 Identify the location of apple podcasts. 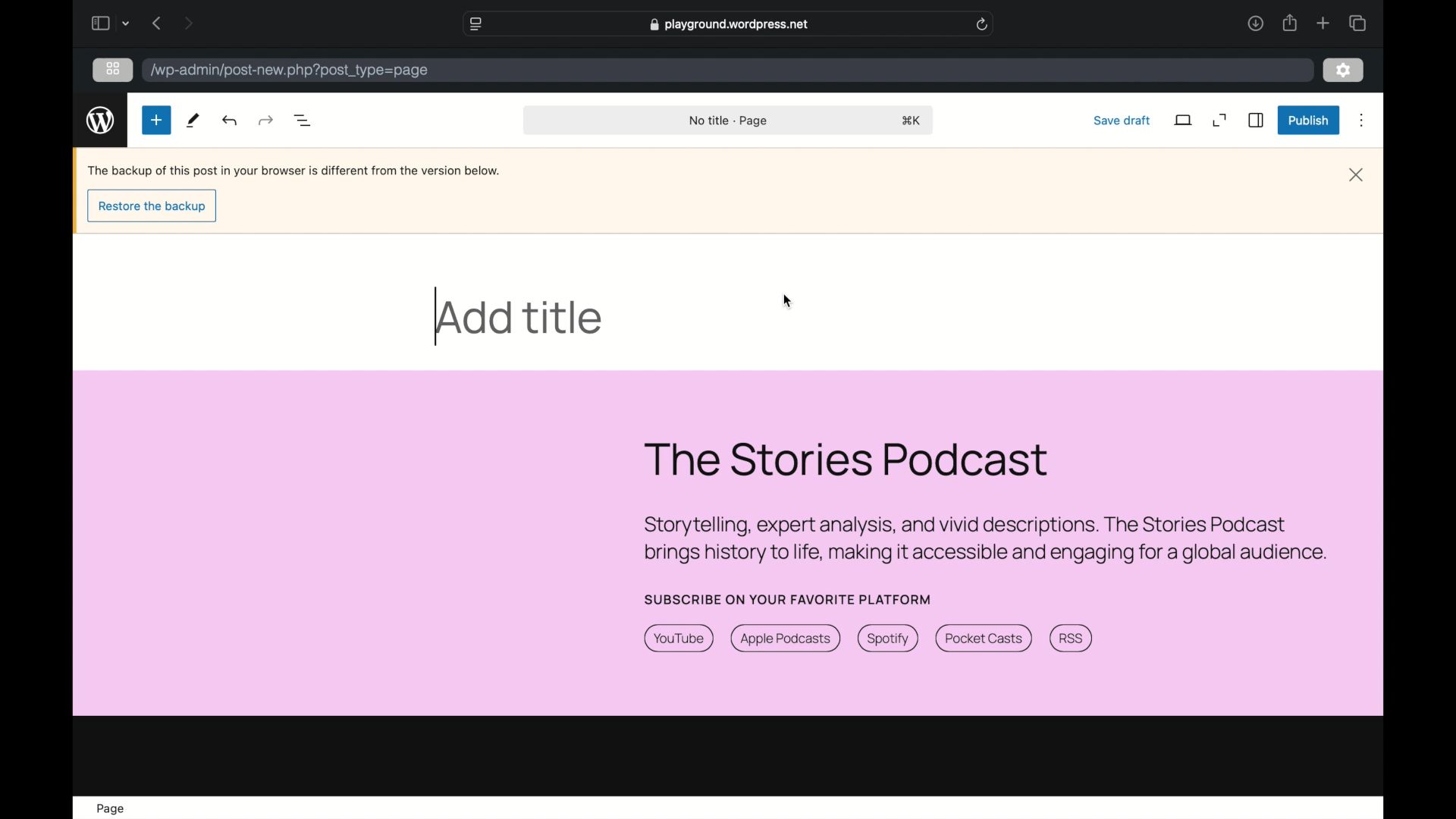
(786, 639).